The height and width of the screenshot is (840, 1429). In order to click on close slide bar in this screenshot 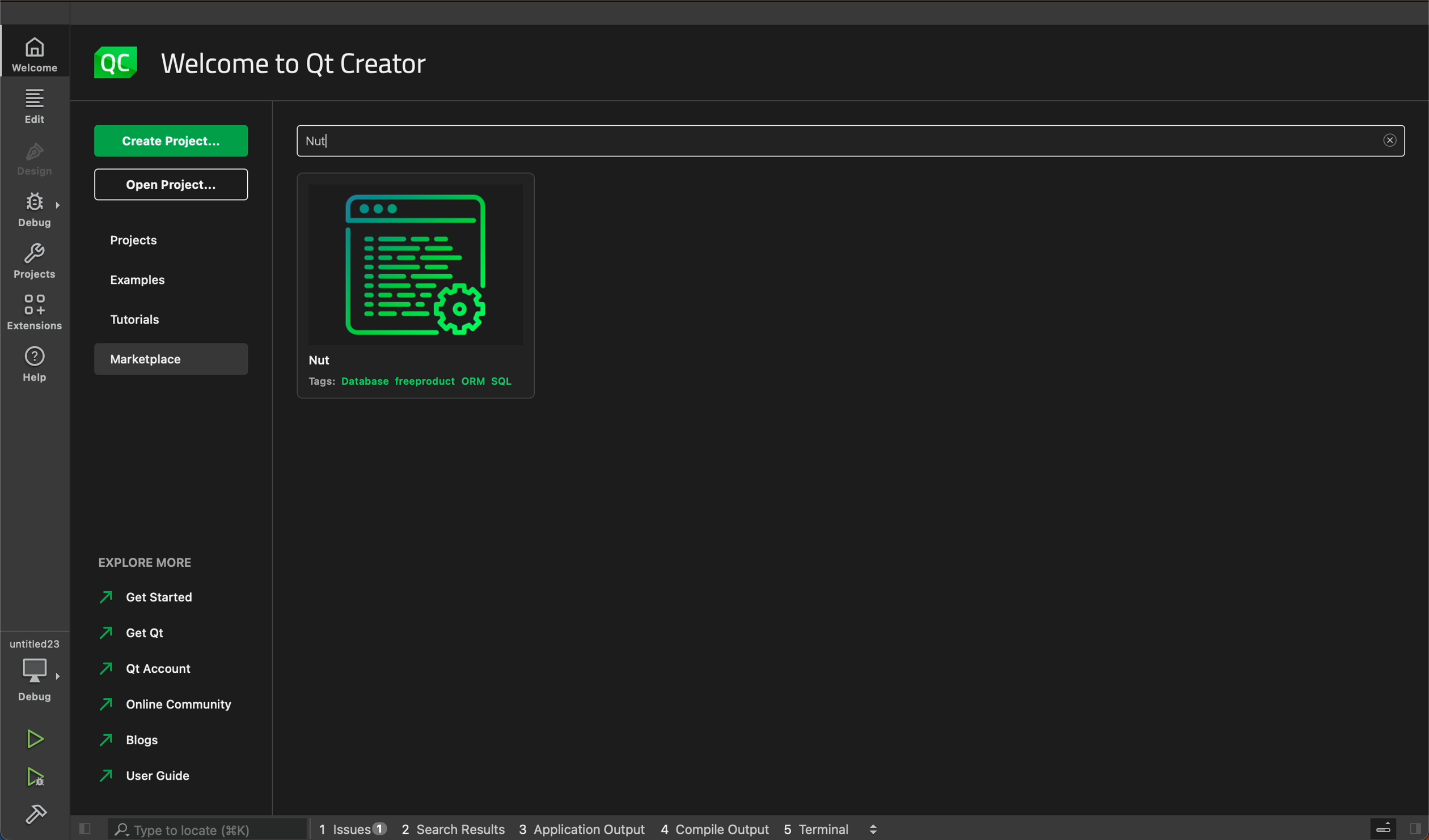, I will do `click(1396, 829)`.